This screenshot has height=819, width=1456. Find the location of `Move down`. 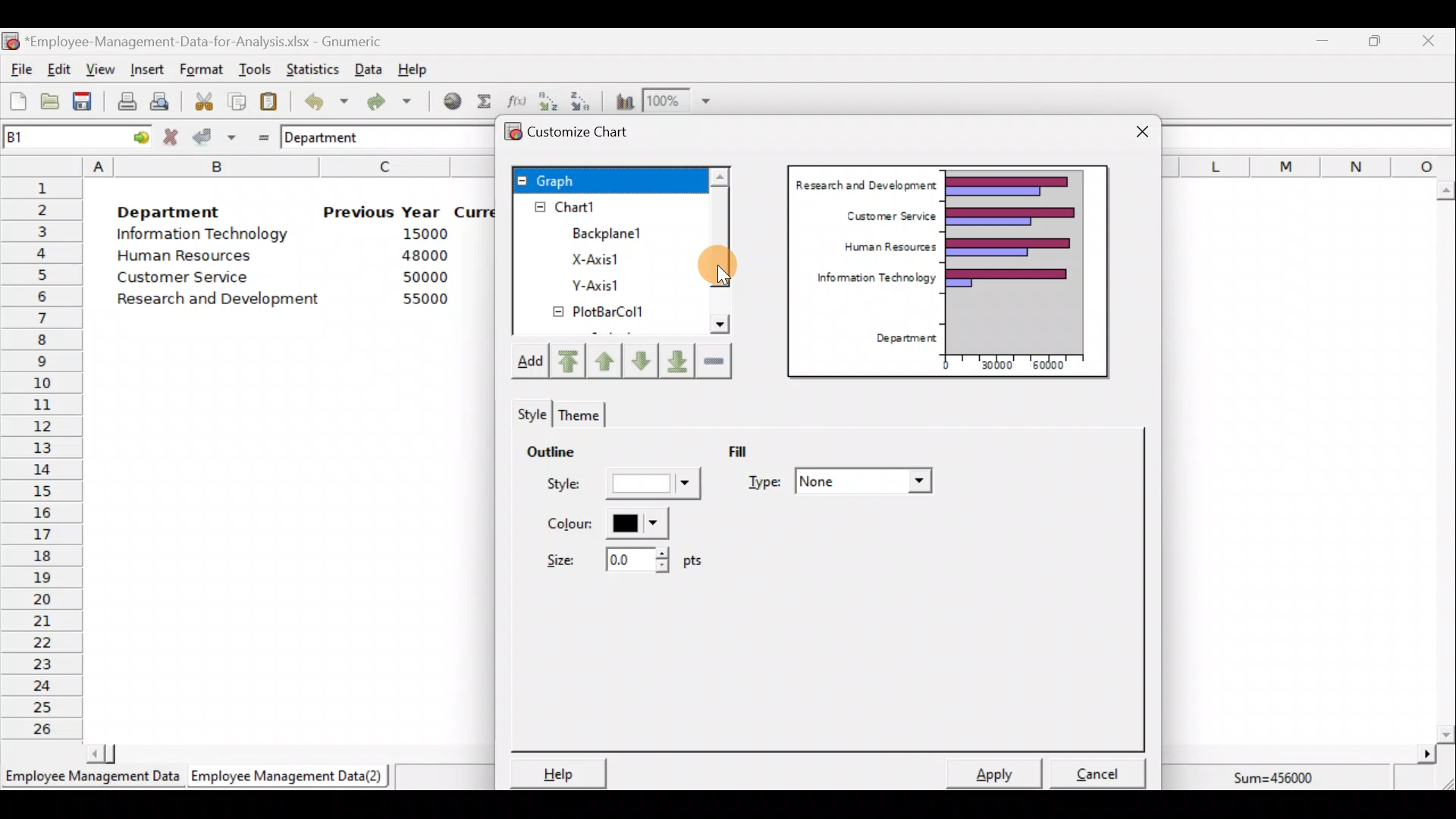

Move down is located at coordinates (640, 361).